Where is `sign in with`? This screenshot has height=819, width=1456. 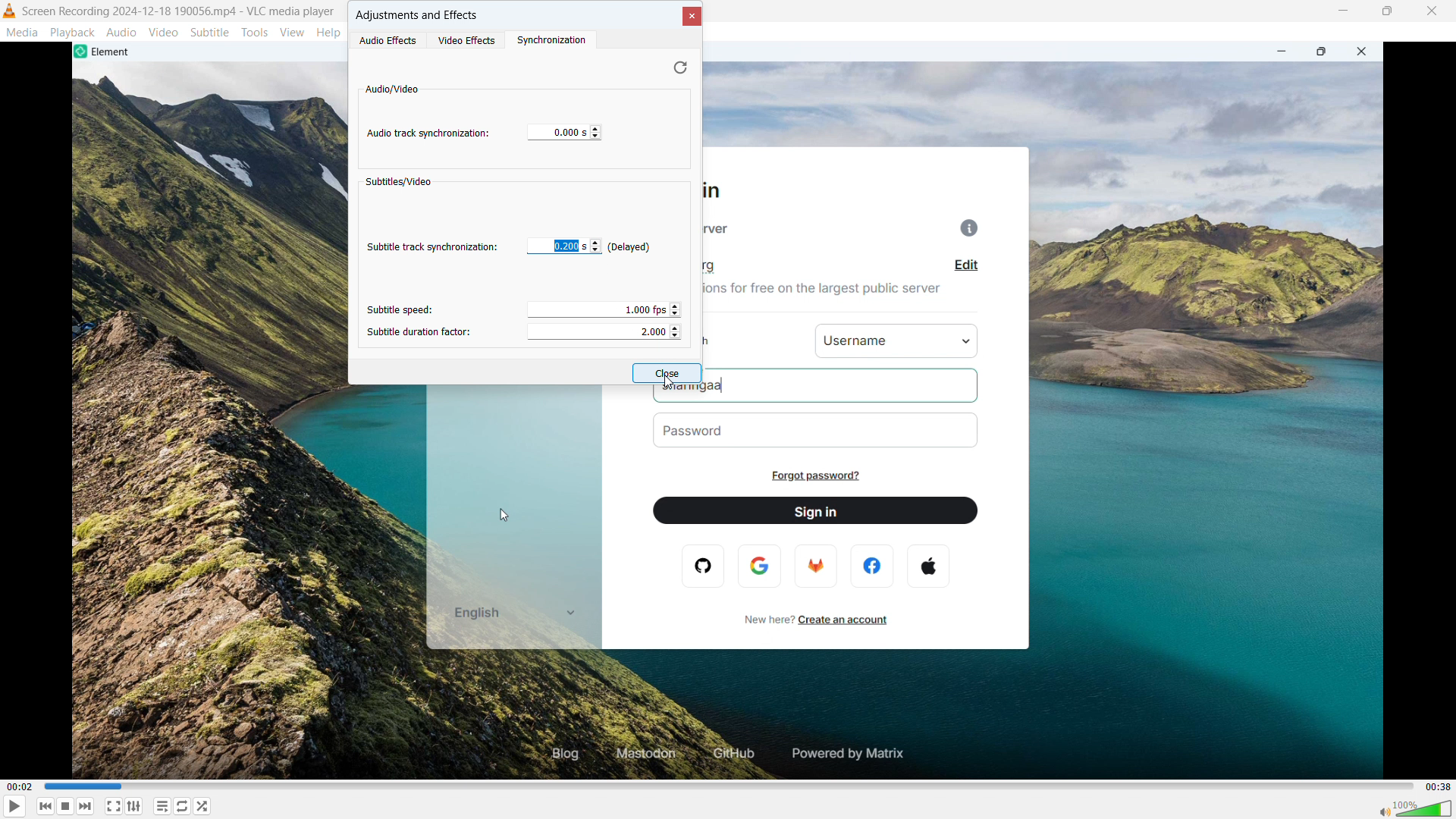
sign in with is located at coordinates (717, 340).